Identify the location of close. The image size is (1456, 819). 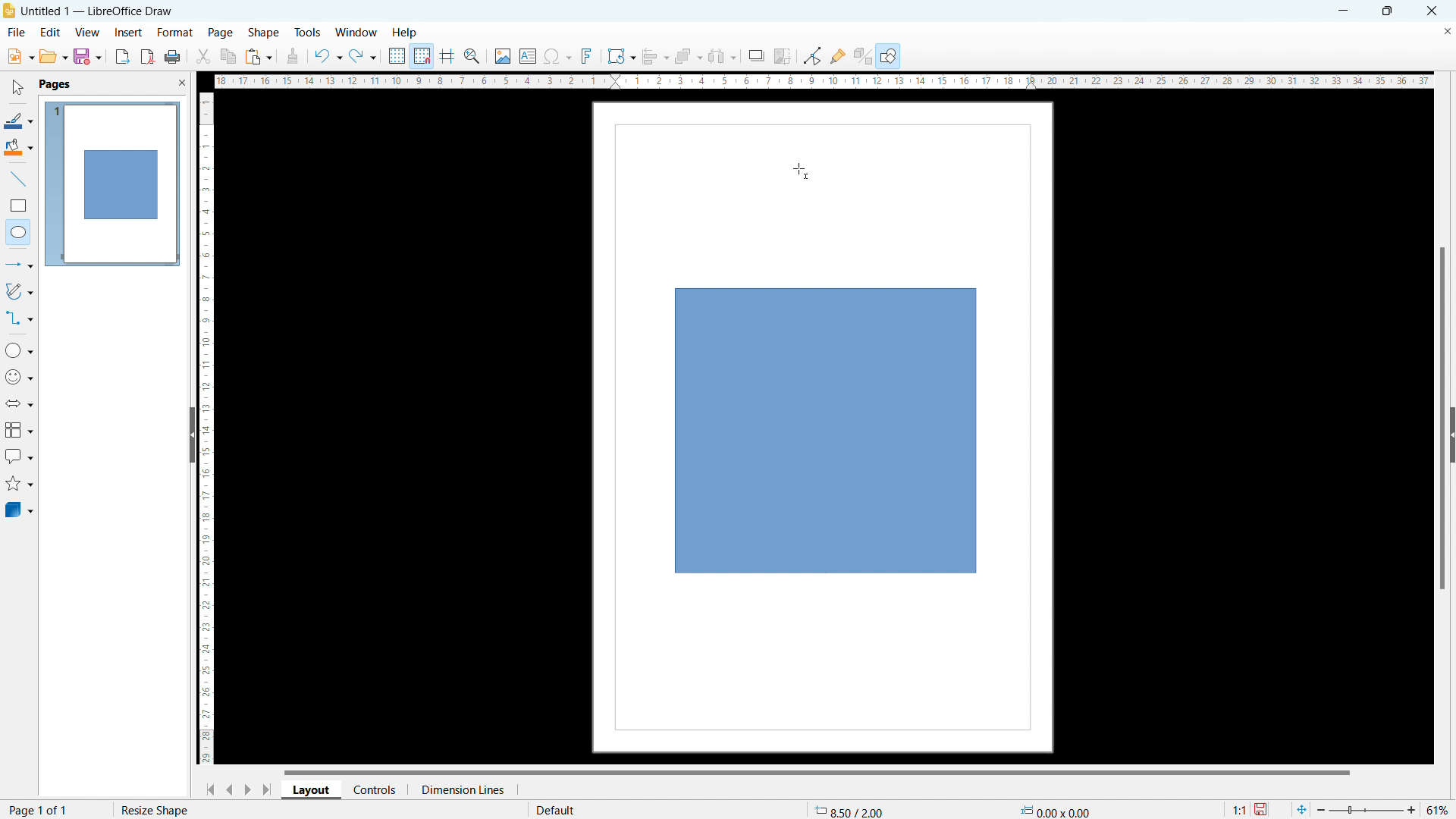
(1433, 10).